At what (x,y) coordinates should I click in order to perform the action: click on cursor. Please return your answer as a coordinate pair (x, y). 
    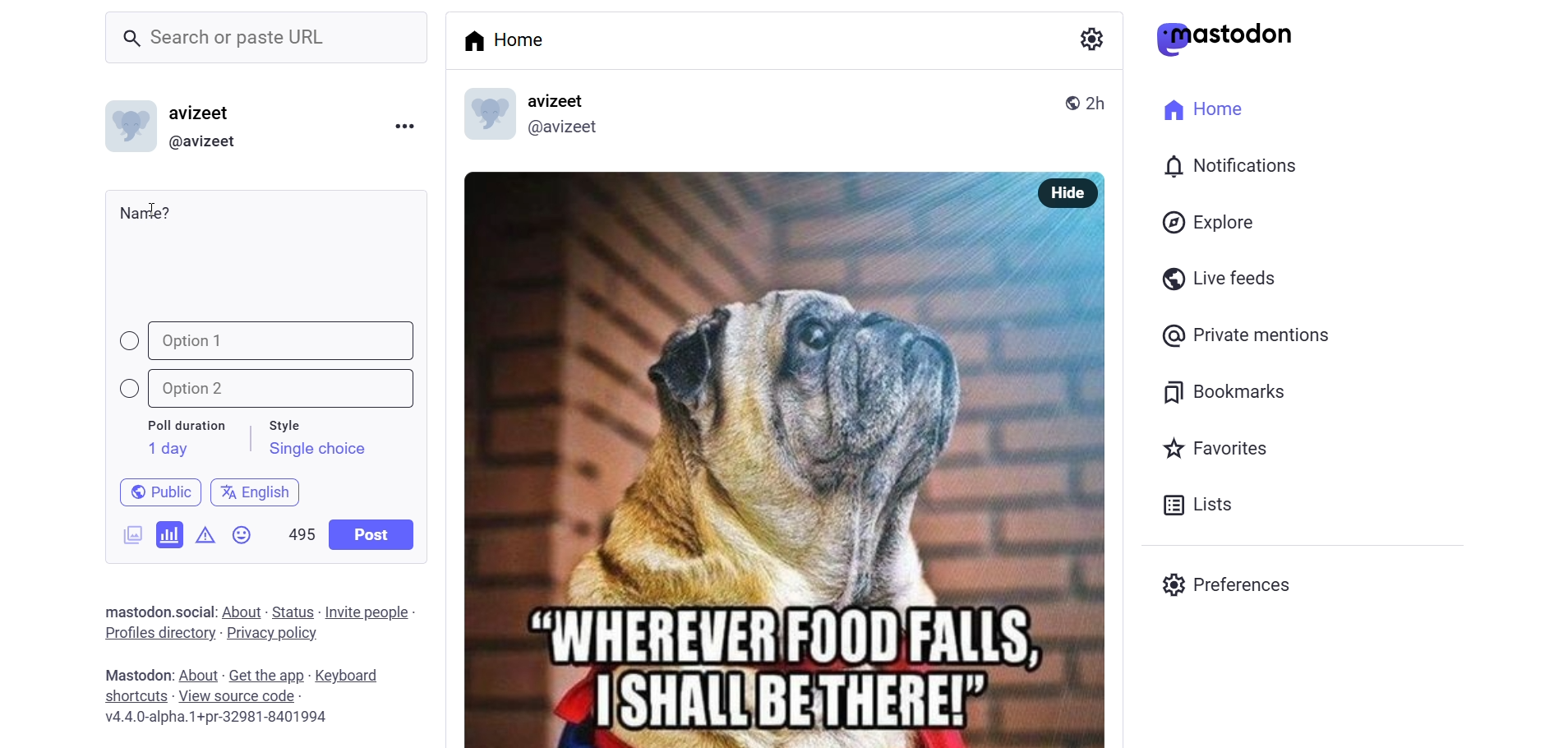
    Looking at the image, I should click on (160, 204).